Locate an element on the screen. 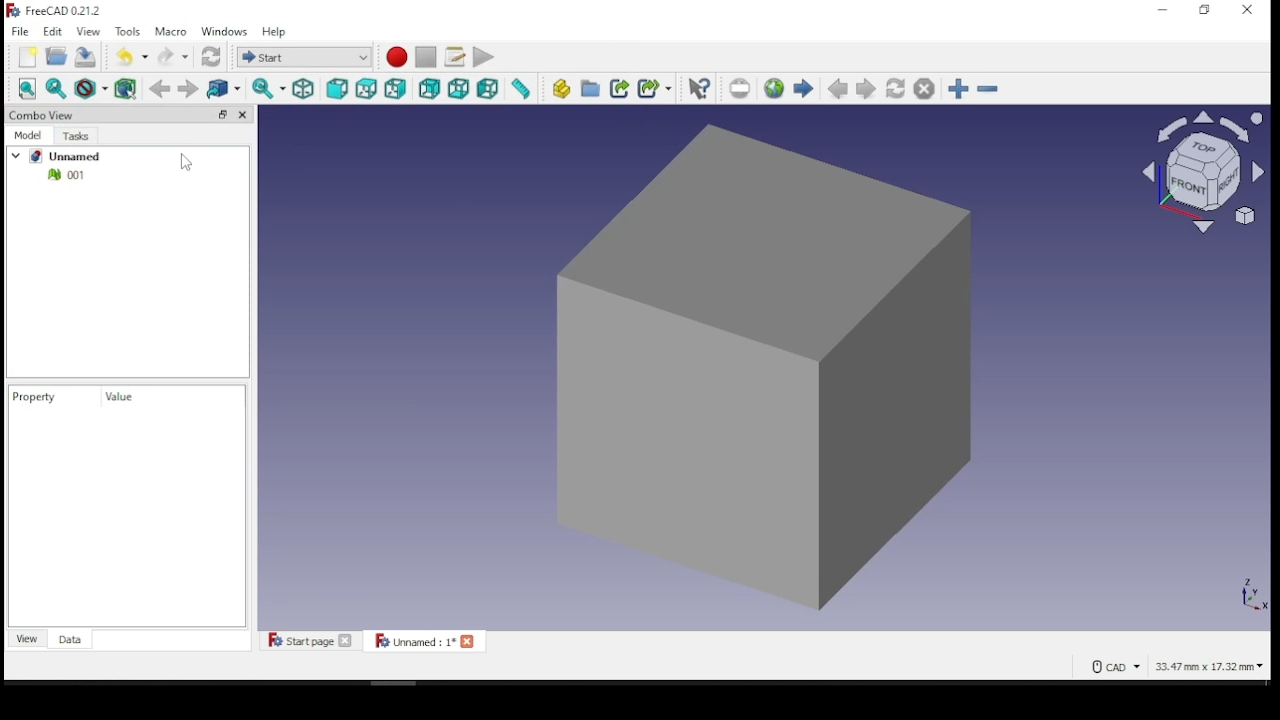 Image resolution: width=1280 pixels, height=720 pixels. value is located at coordinates (121, 397).